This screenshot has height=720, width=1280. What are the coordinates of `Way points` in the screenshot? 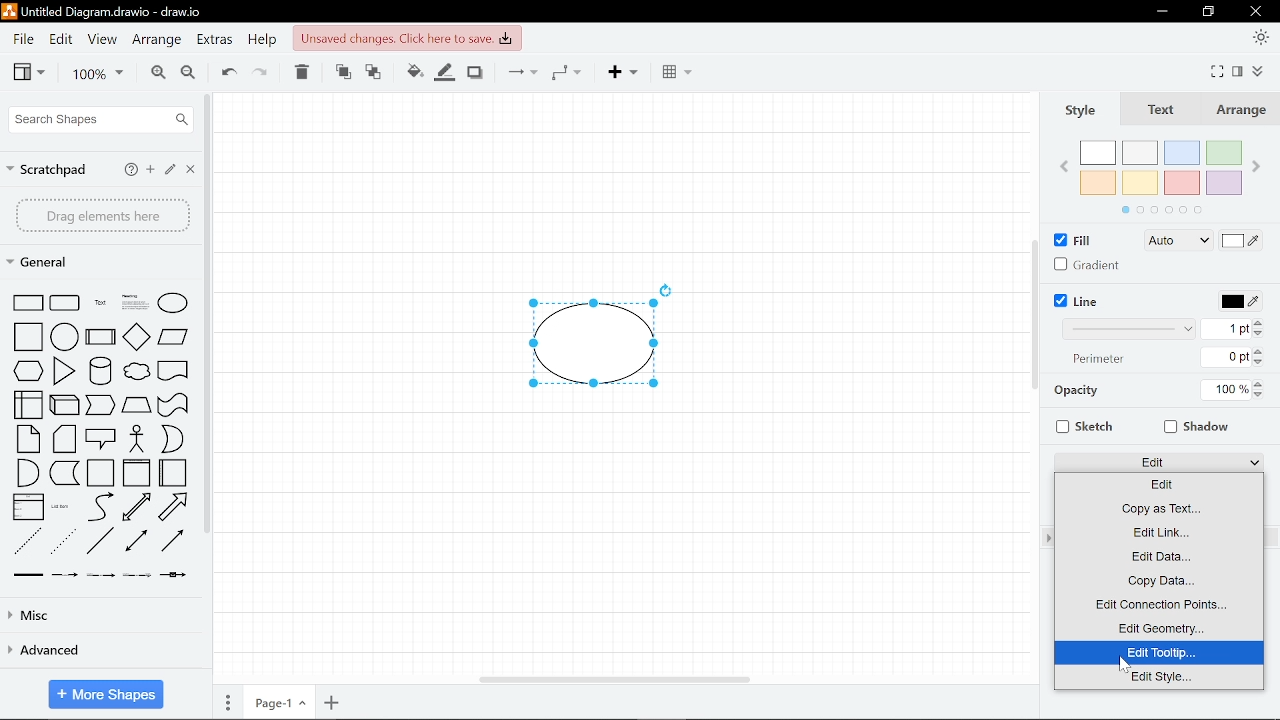 It's located at (566, 71).